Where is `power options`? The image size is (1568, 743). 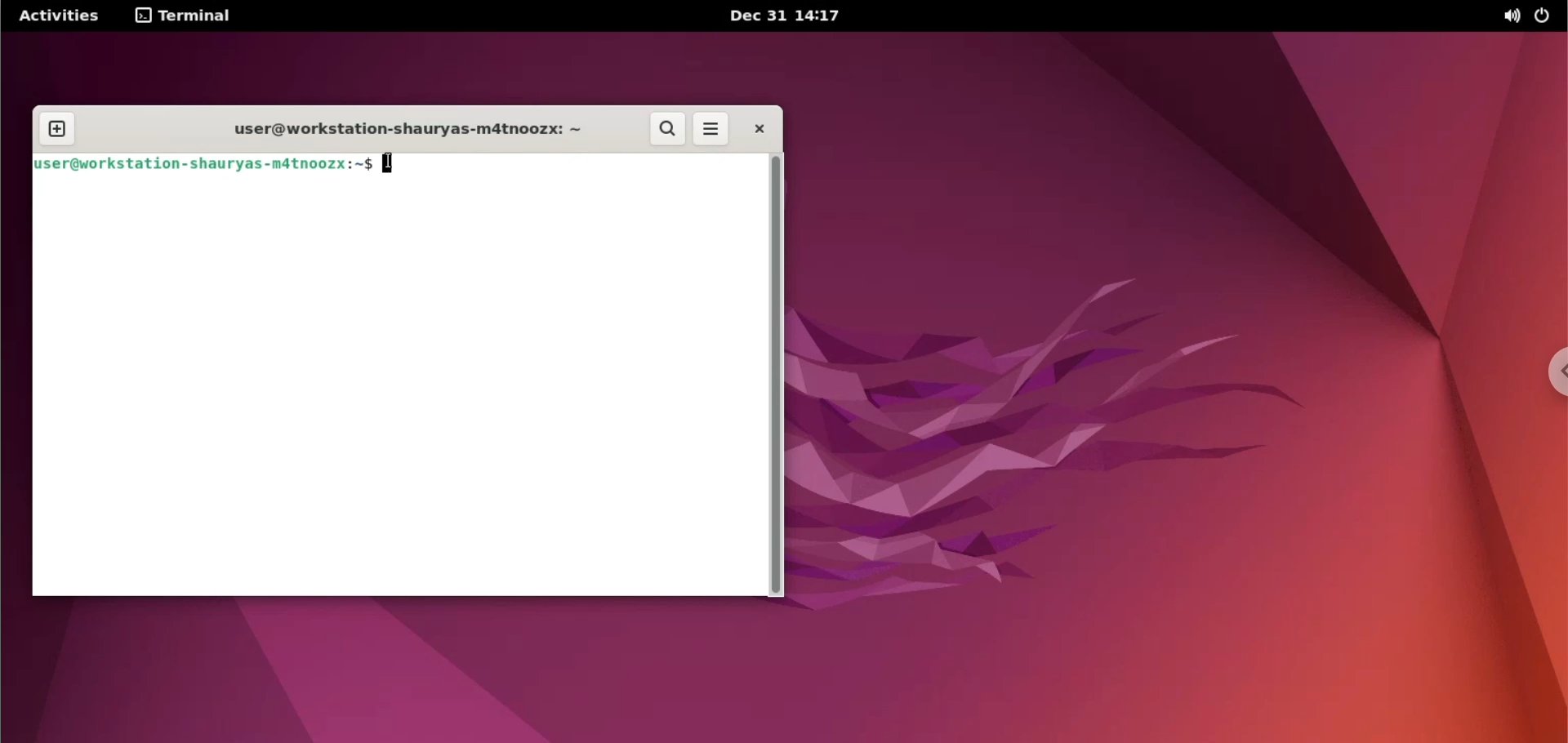 power options is located at coordinates (1550, 17).